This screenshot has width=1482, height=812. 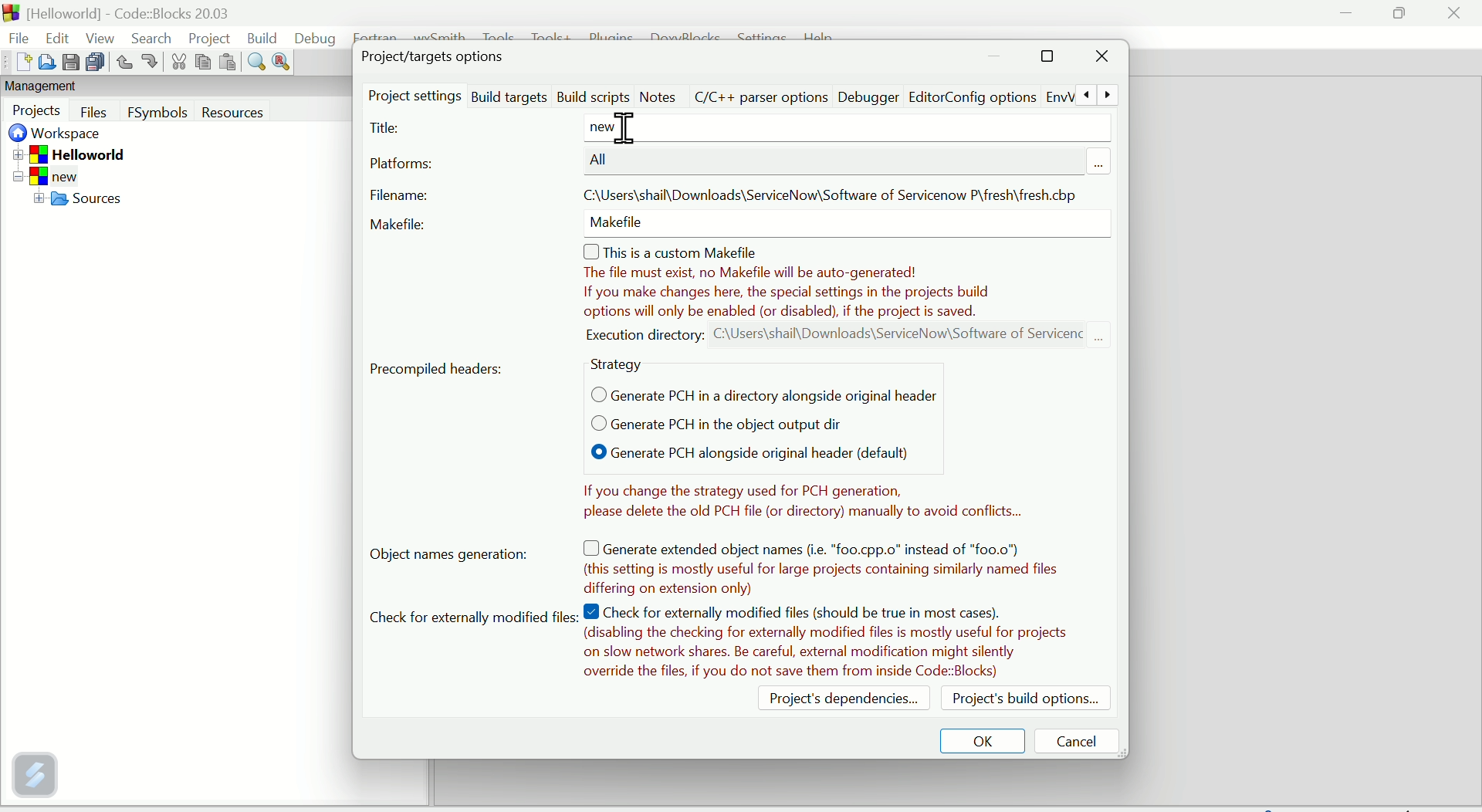 I want to click on Save, so click(x=72, y=62).